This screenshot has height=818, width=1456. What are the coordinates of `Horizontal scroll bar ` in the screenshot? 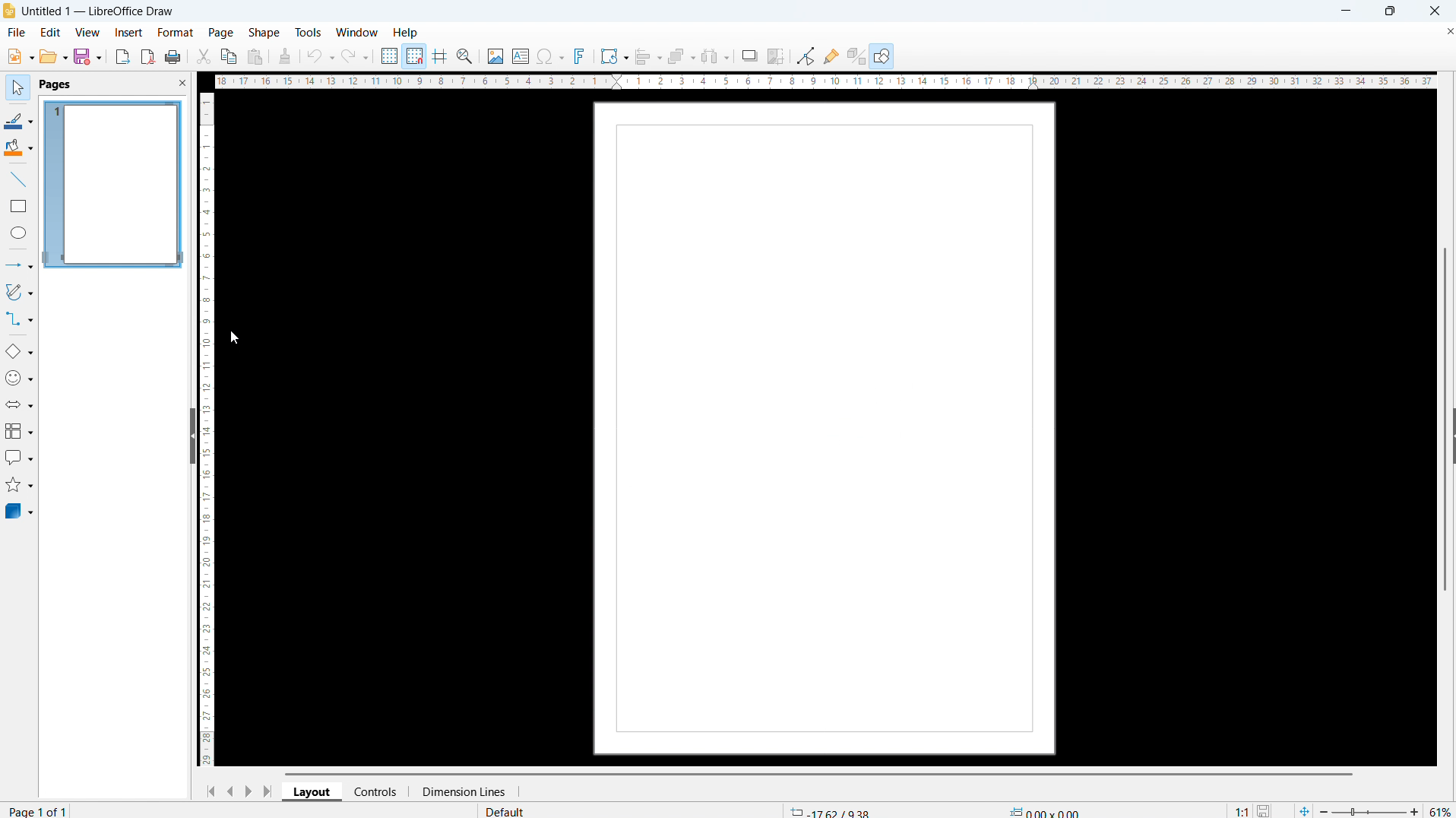 It's located at (818, 772).